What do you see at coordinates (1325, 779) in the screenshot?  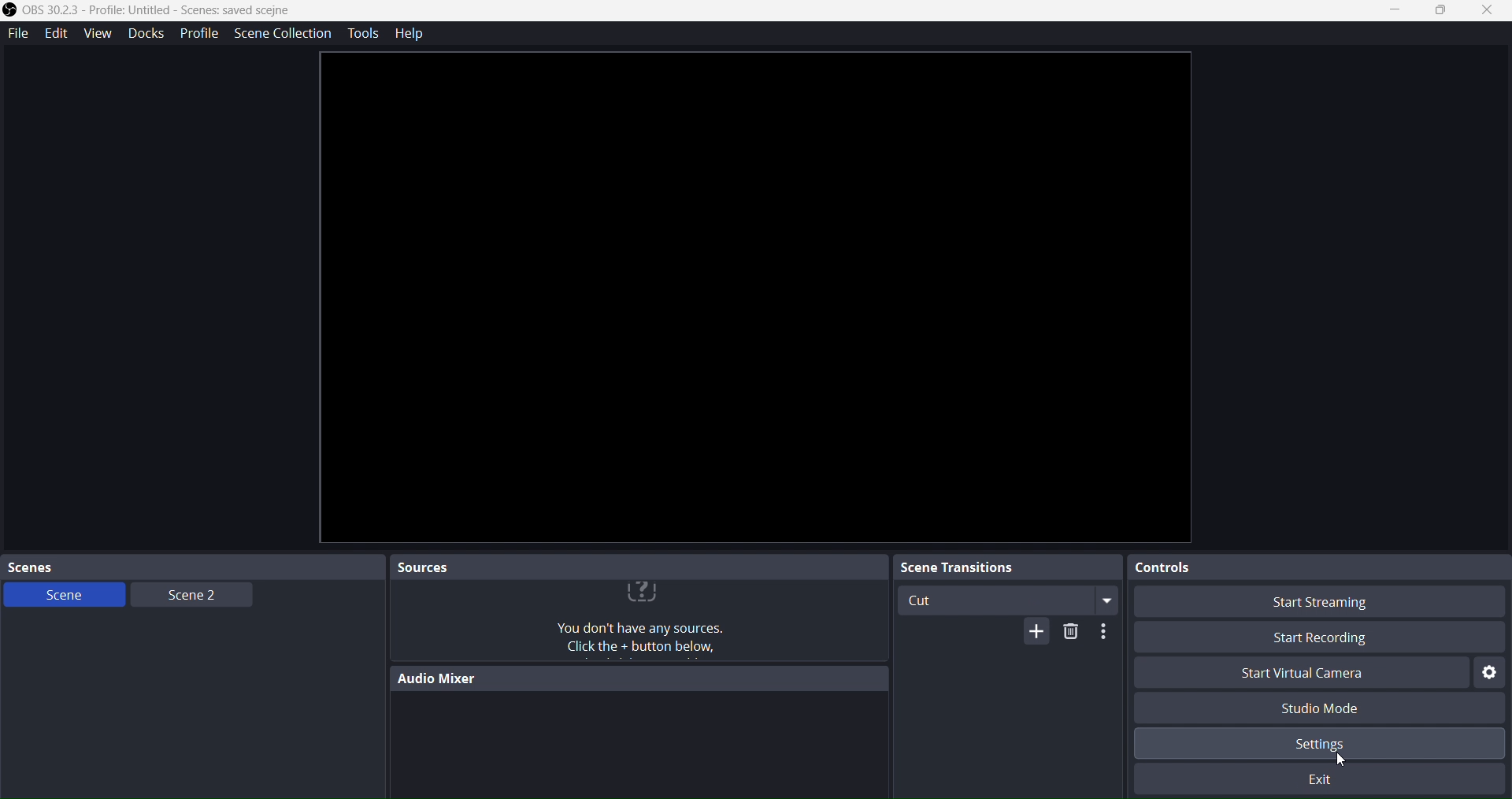 I see `Exit` at bounding box center [1325, 779].